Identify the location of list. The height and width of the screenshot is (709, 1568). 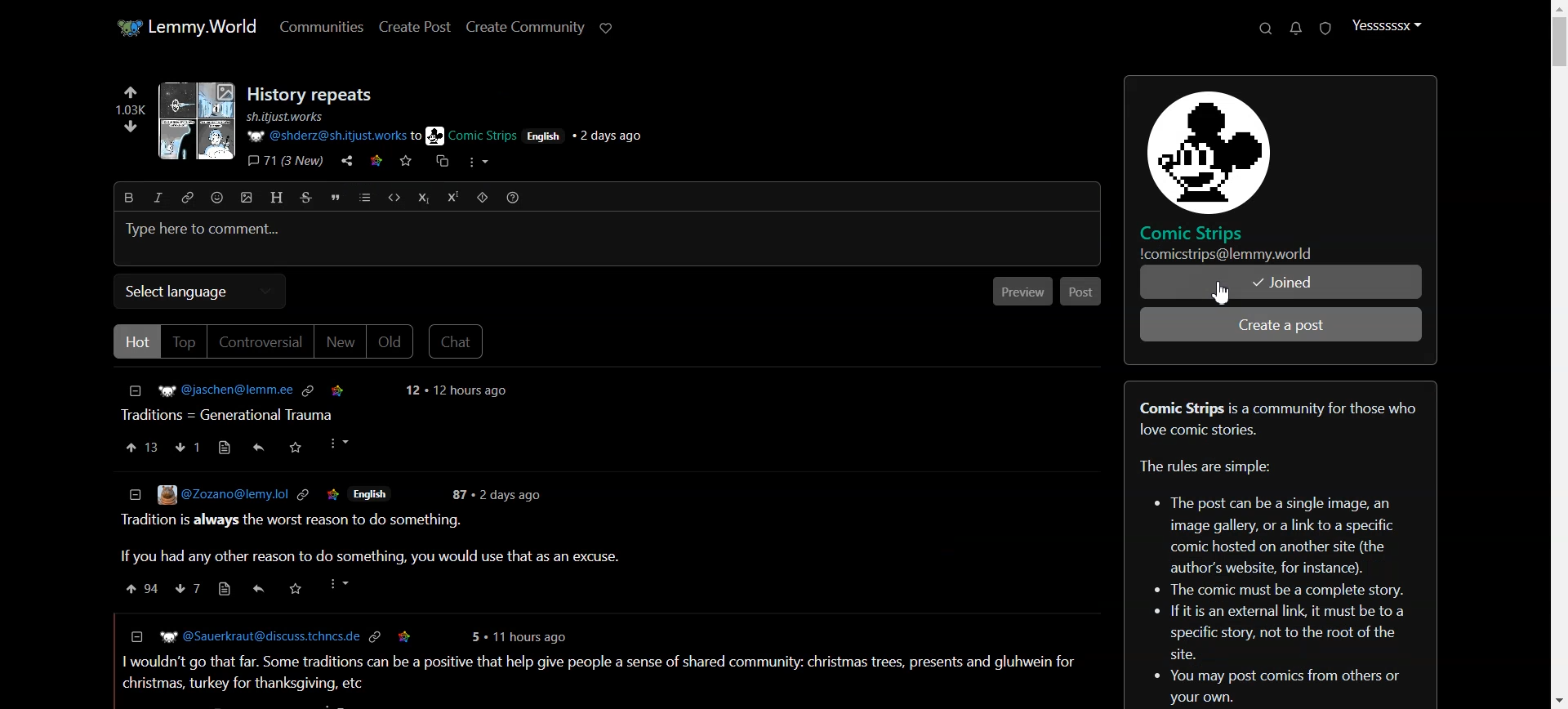
(364, 197).